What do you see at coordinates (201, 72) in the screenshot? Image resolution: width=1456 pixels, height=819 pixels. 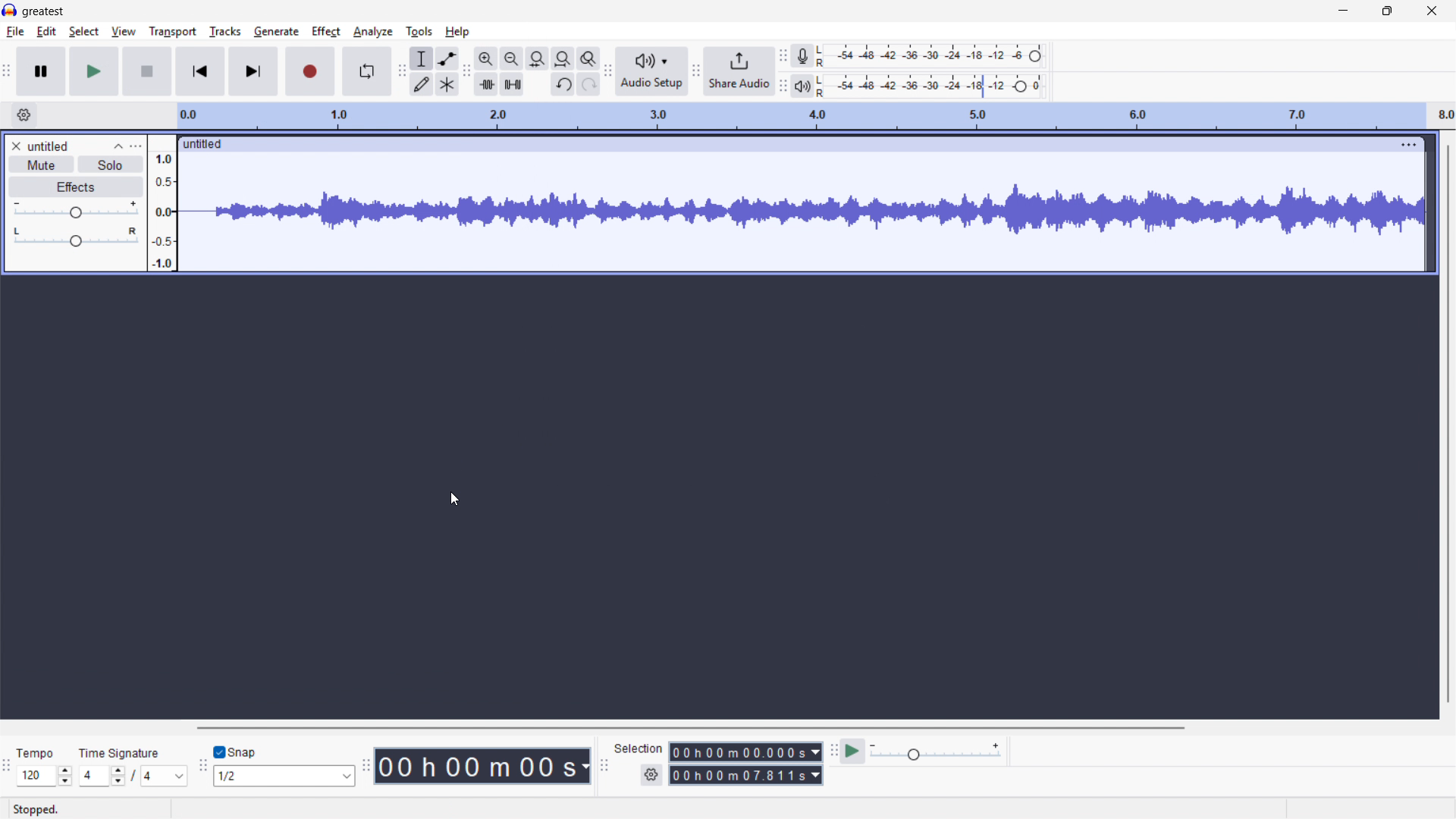 I see `skip to start` at bounding box center [201, 72].